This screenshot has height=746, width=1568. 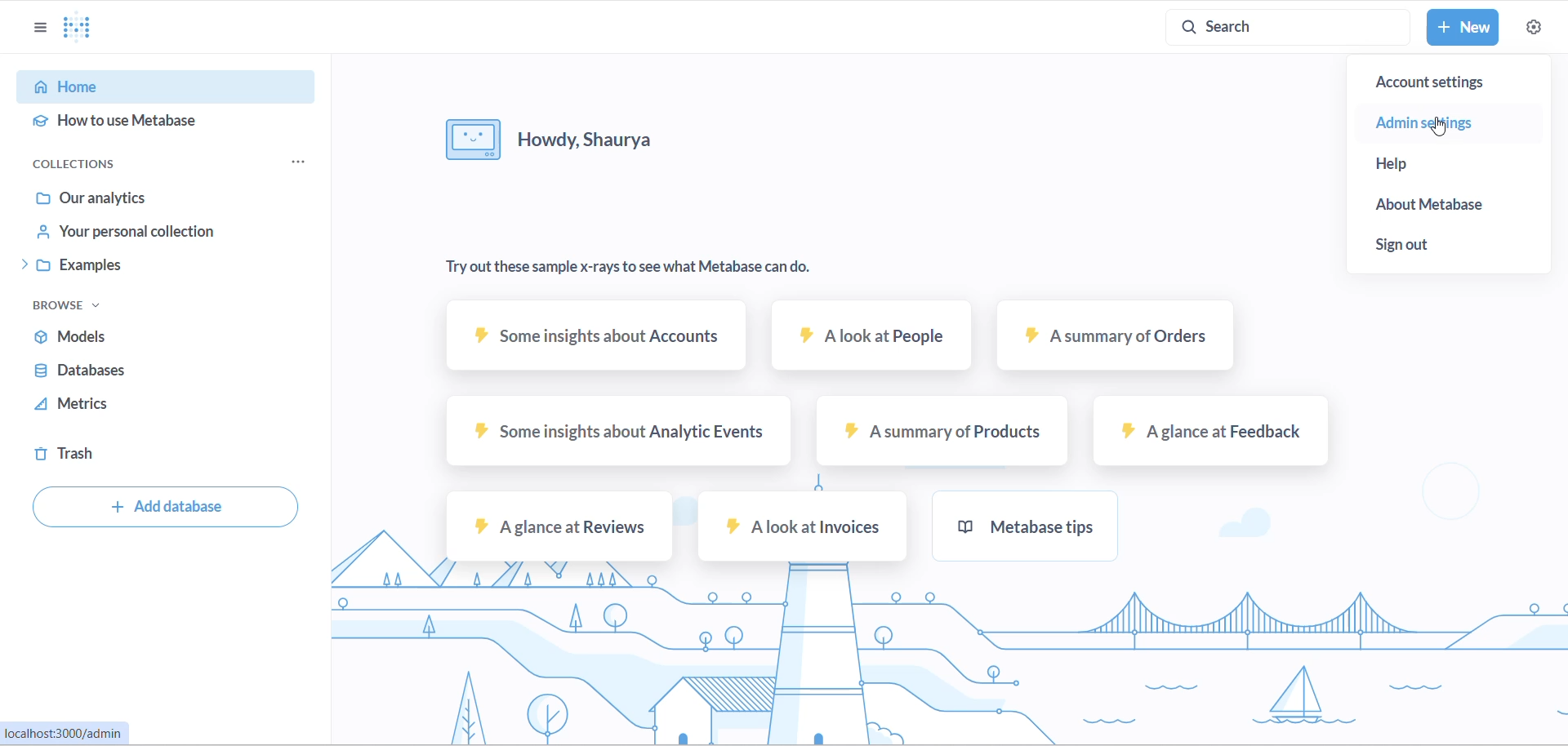 I want to click on BROWSE, so click(x=80, y=306).